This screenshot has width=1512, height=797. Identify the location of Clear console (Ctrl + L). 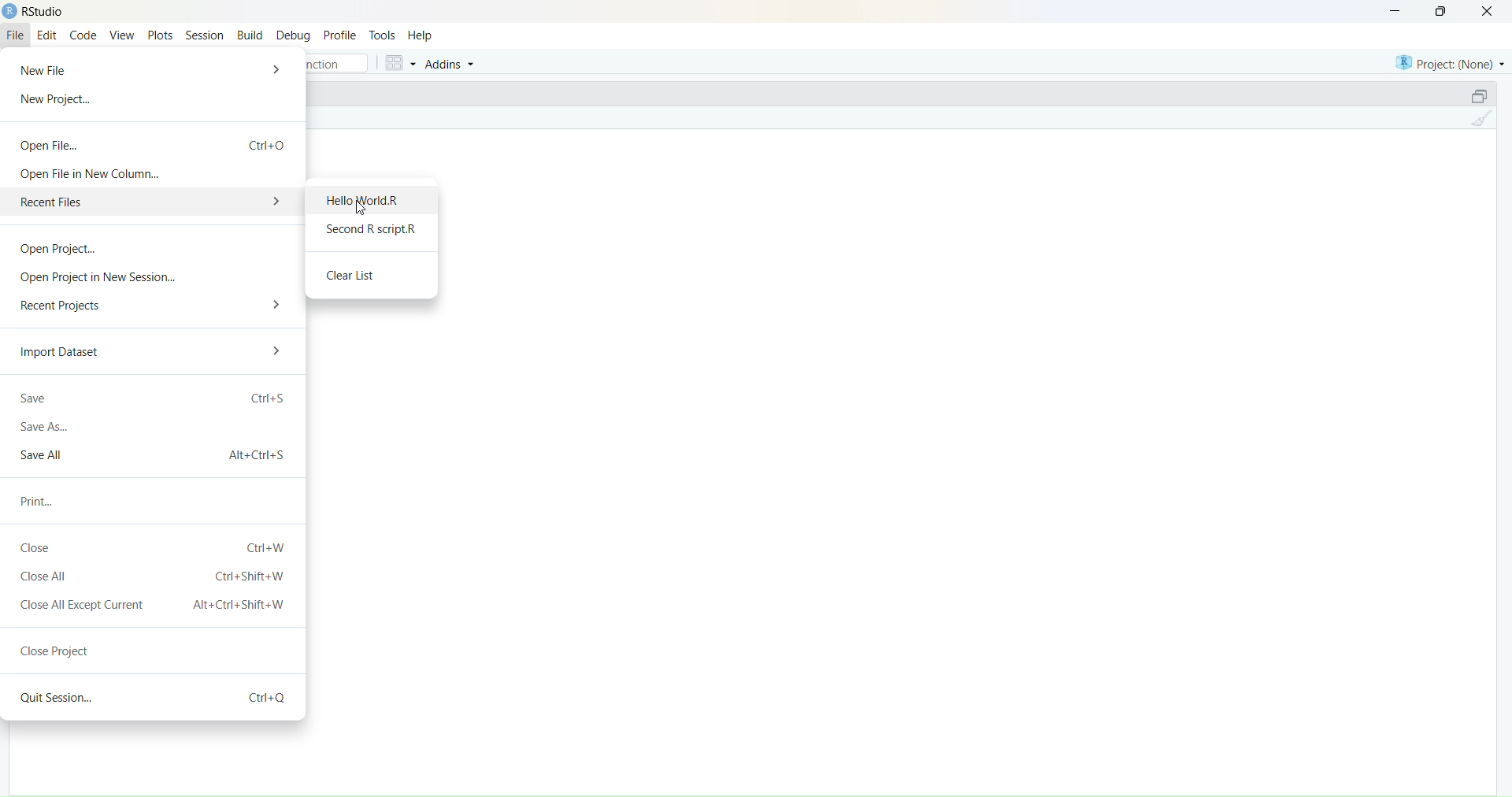
(1482, 122).